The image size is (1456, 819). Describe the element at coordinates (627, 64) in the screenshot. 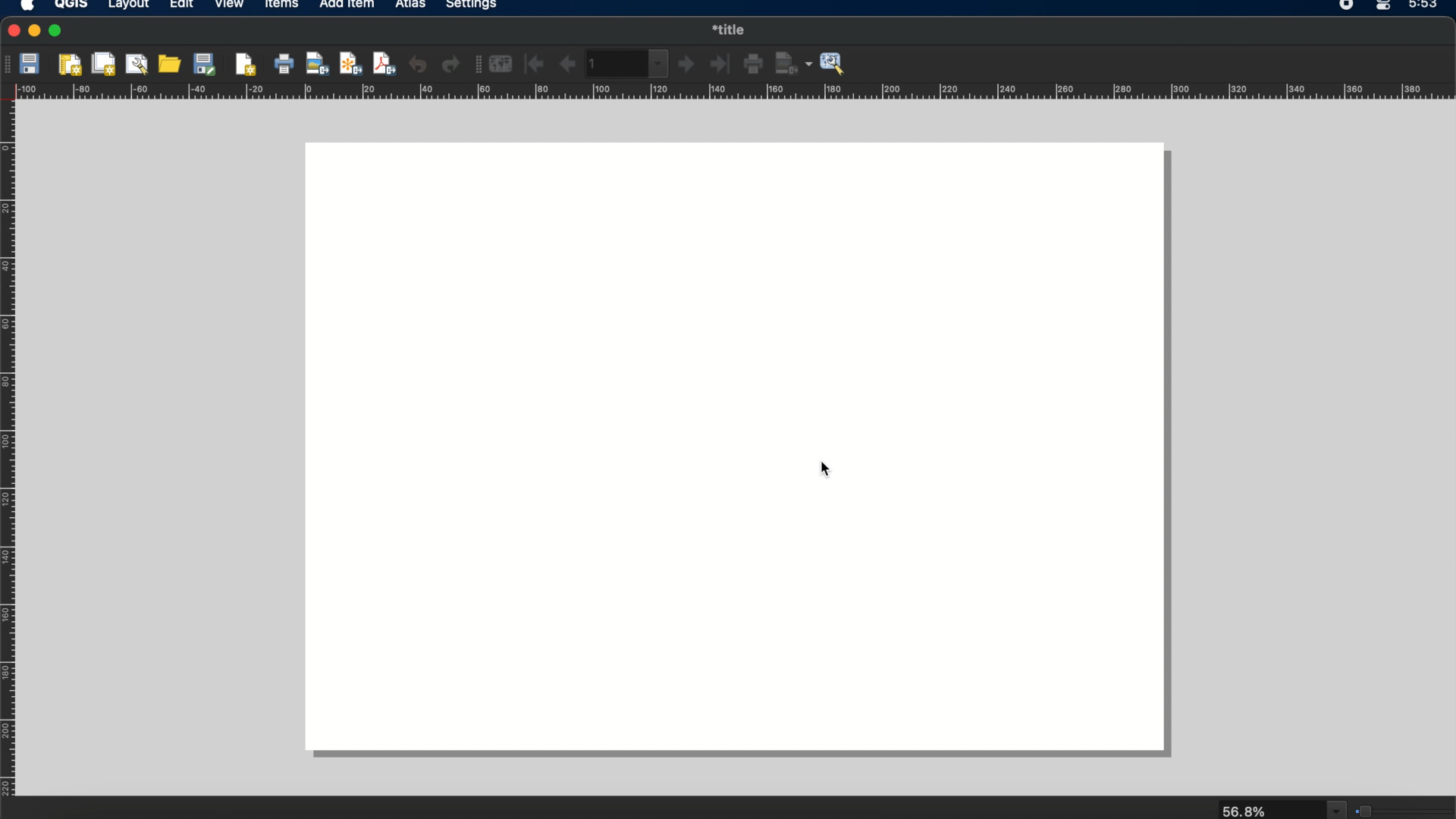

I see `atlas toolbar` at that location.